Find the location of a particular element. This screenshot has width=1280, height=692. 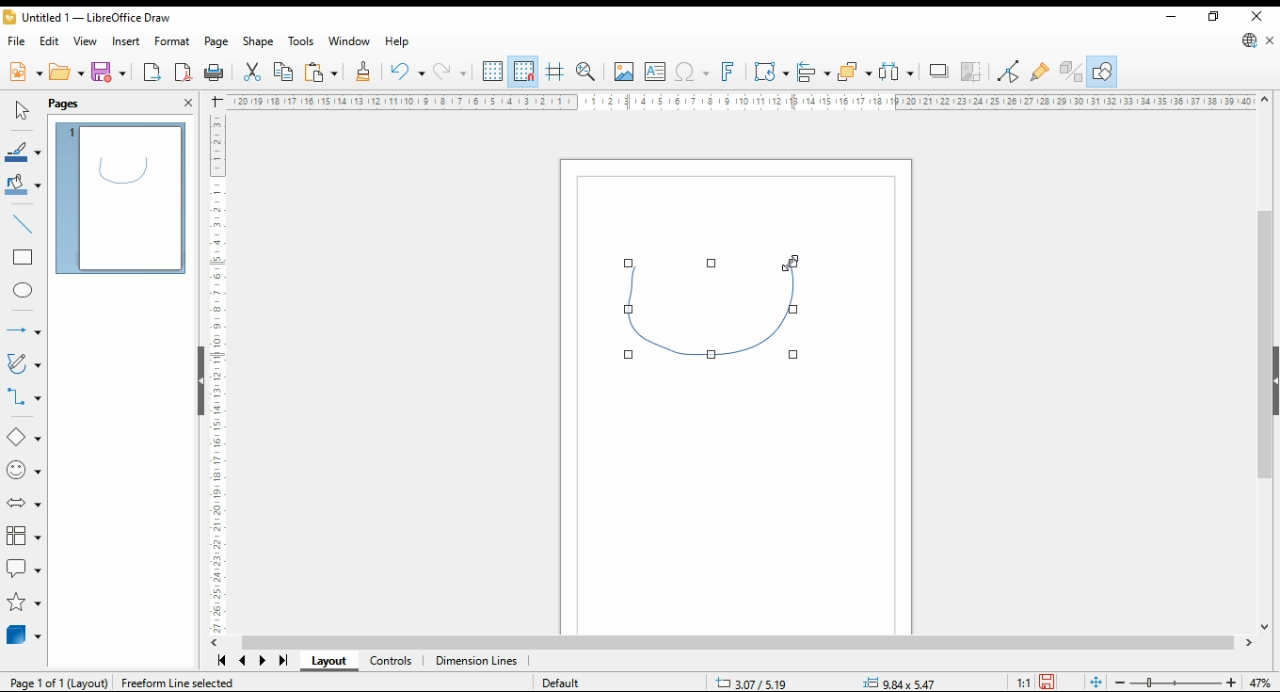

ellipse is located at coordinates (24, 292).